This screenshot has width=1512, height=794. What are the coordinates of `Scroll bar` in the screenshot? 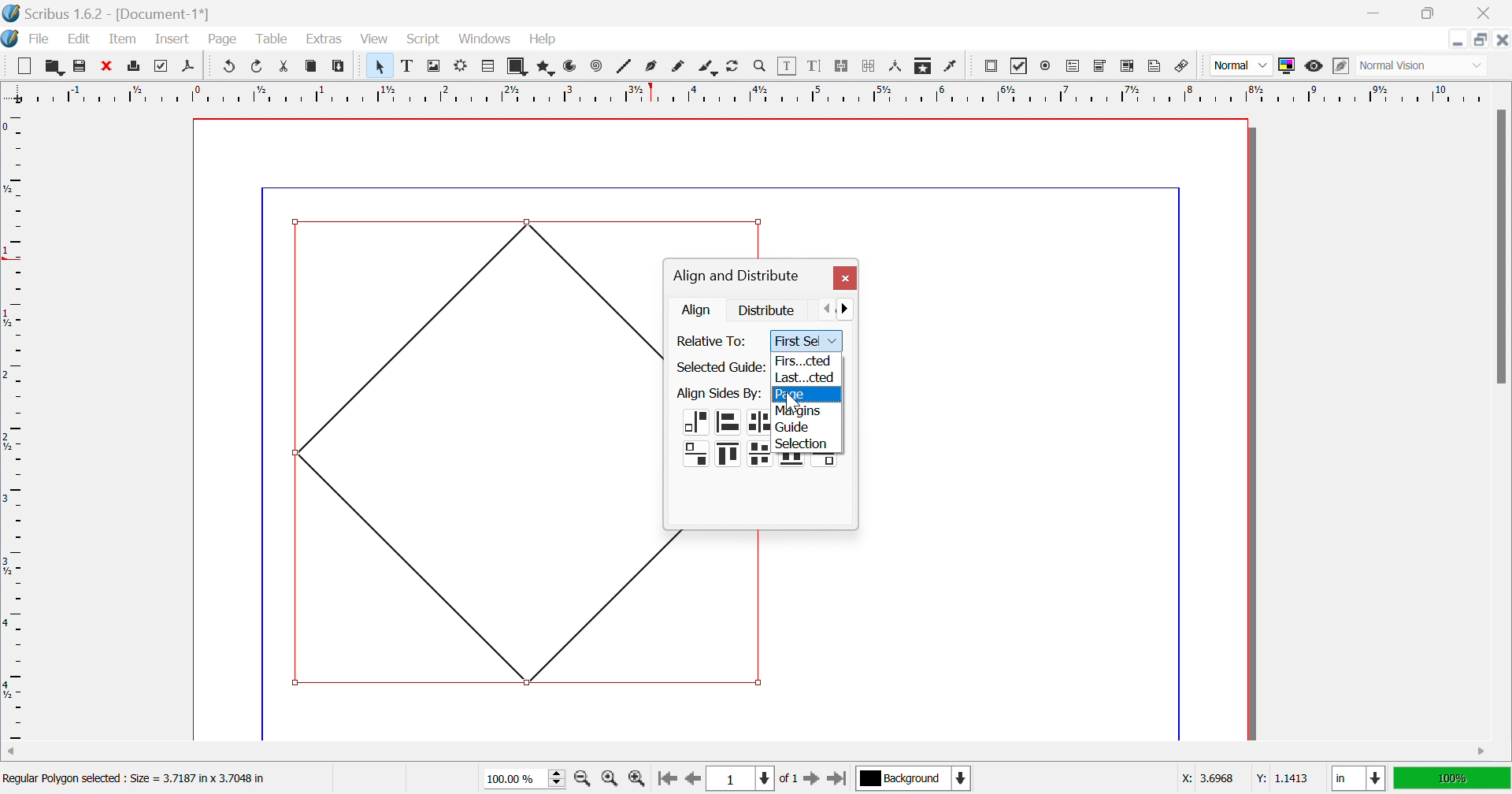 It's located at (1500, 246).